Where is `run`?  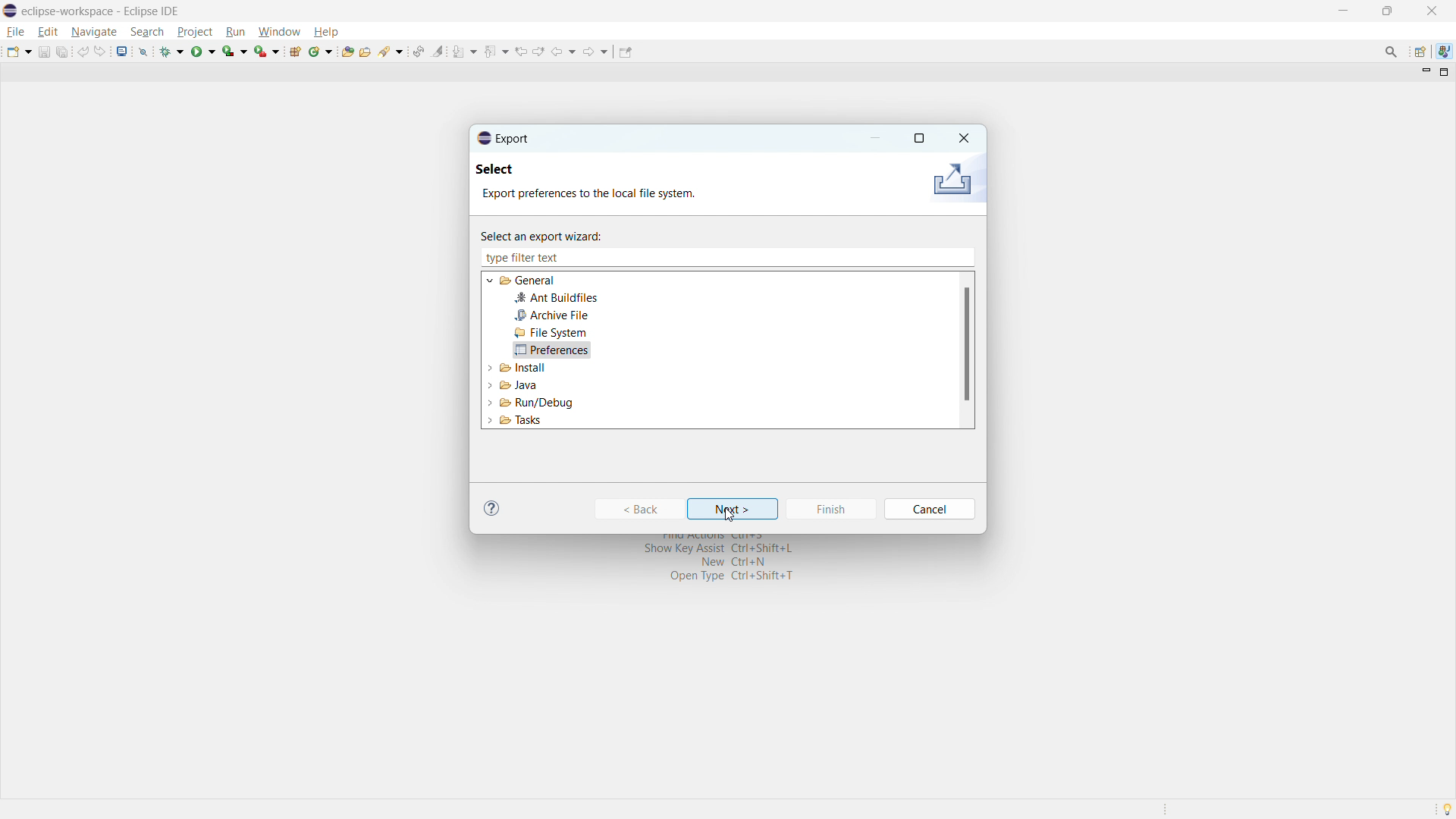 run is located at coordinates (235, 32).